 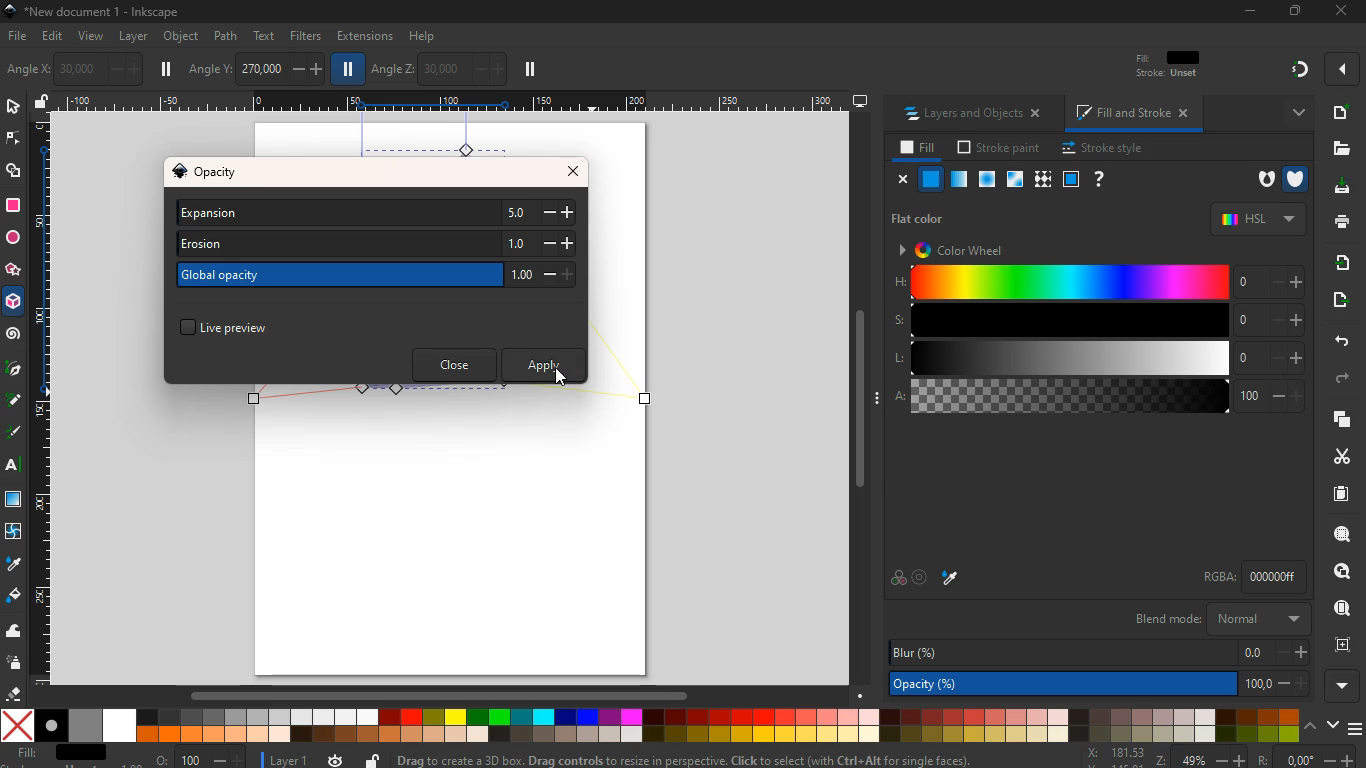 What do you see at coordinates (1095, 684) in the screenshot?
I see `opacity` at bounding box center [1095, 684].